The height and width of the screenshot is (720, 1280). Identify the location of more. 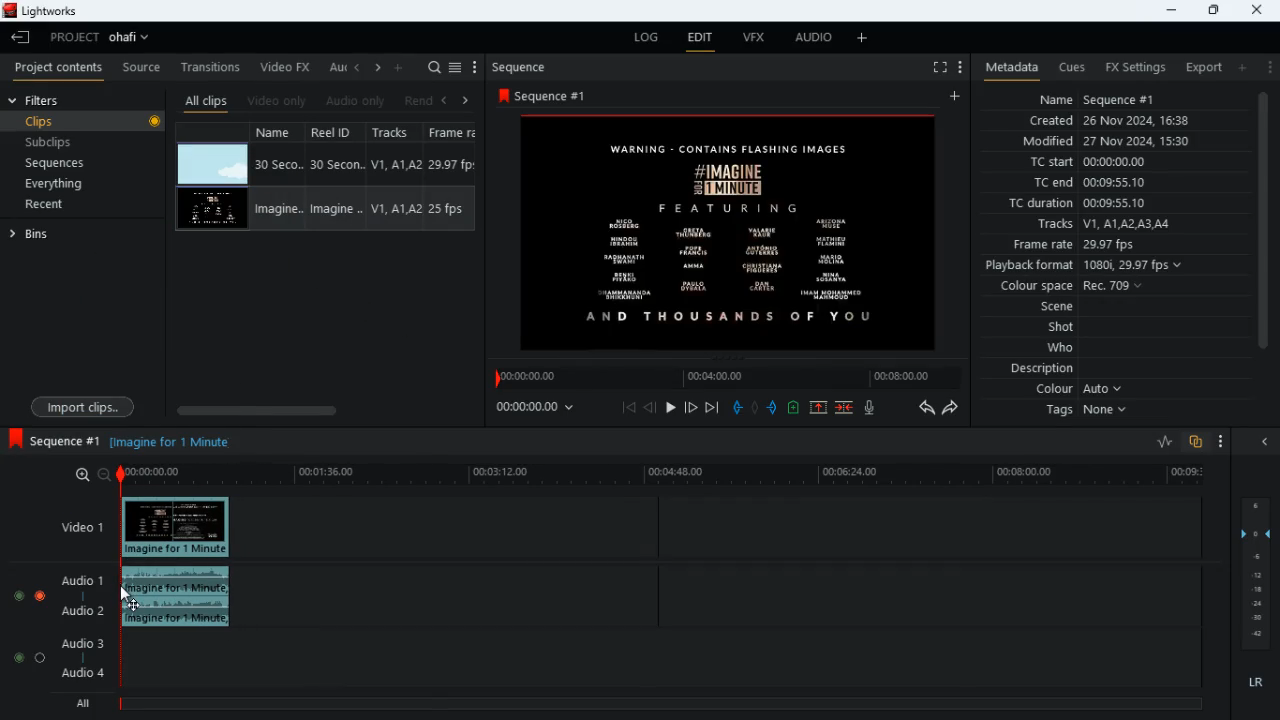
(1268, 66).